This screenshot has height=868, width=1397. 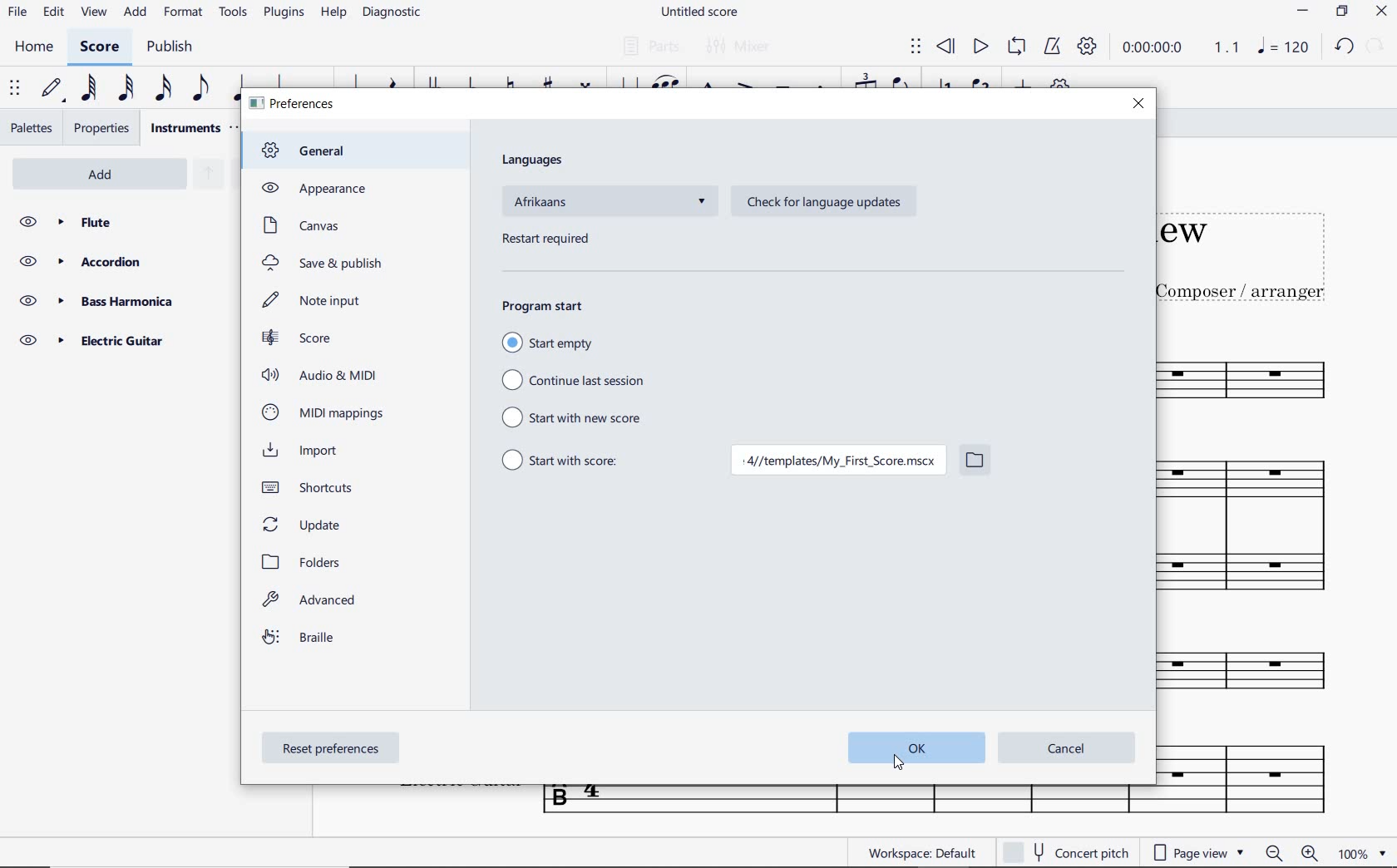 What do you see at coordinates (17, 14) in the screenshot?
I see `file` at bounding box center [17, 14].